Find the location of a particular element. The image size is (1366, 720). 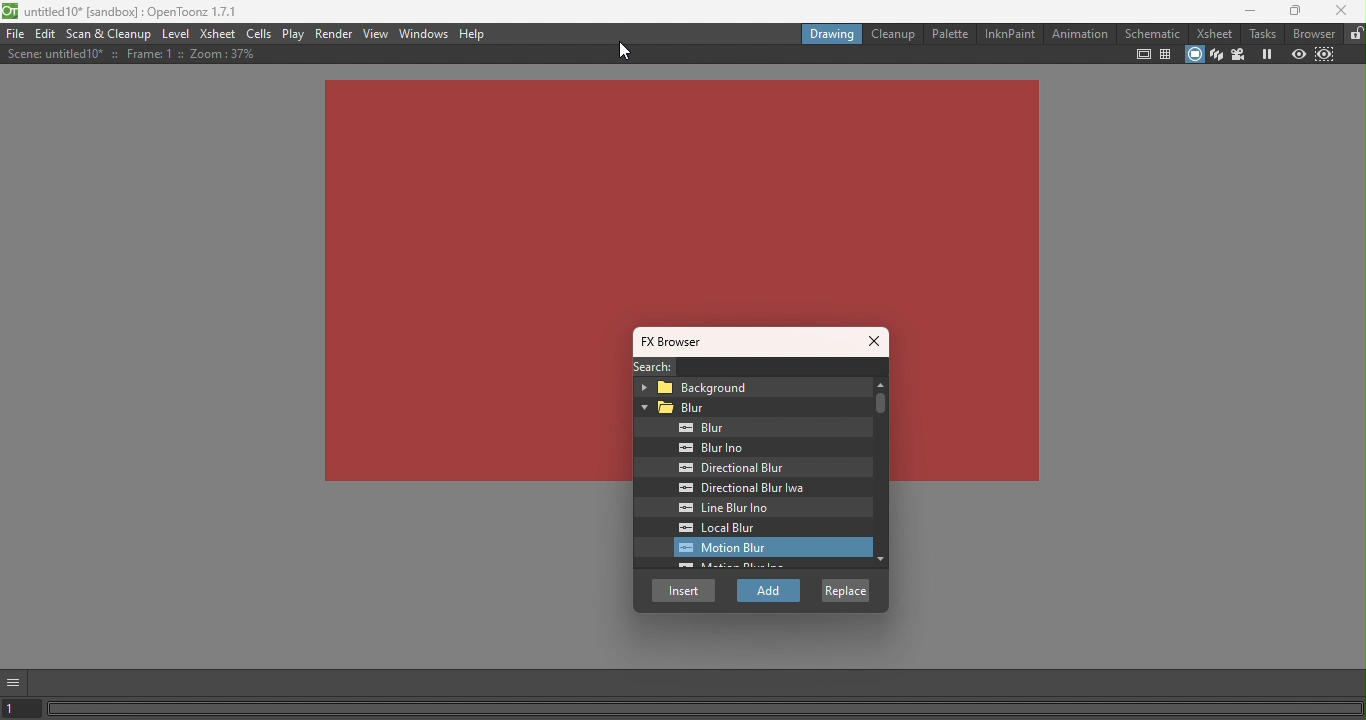

cursor is located at coordinates (624, 52).